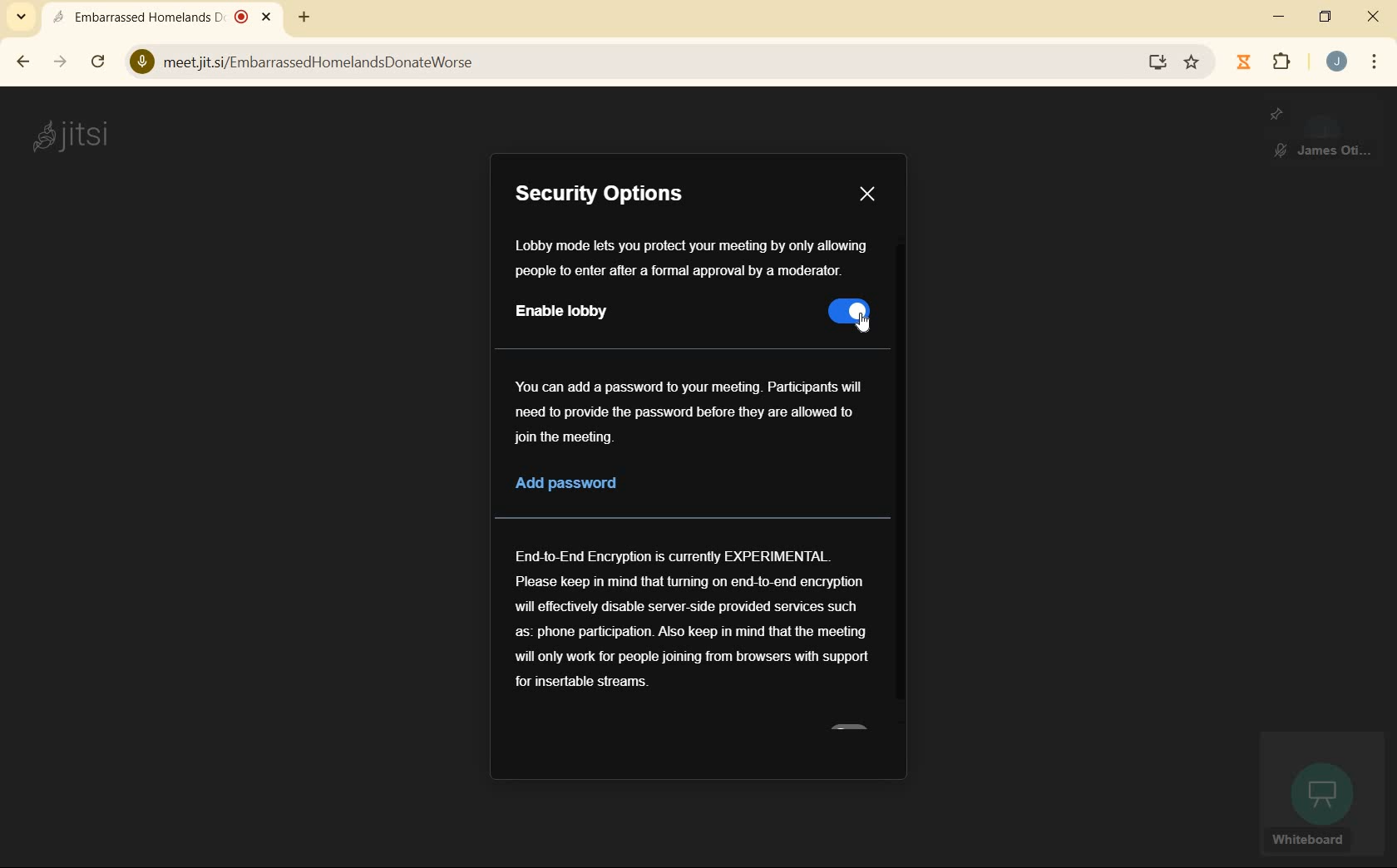  I want to click on View Site information, so click(141, 62).